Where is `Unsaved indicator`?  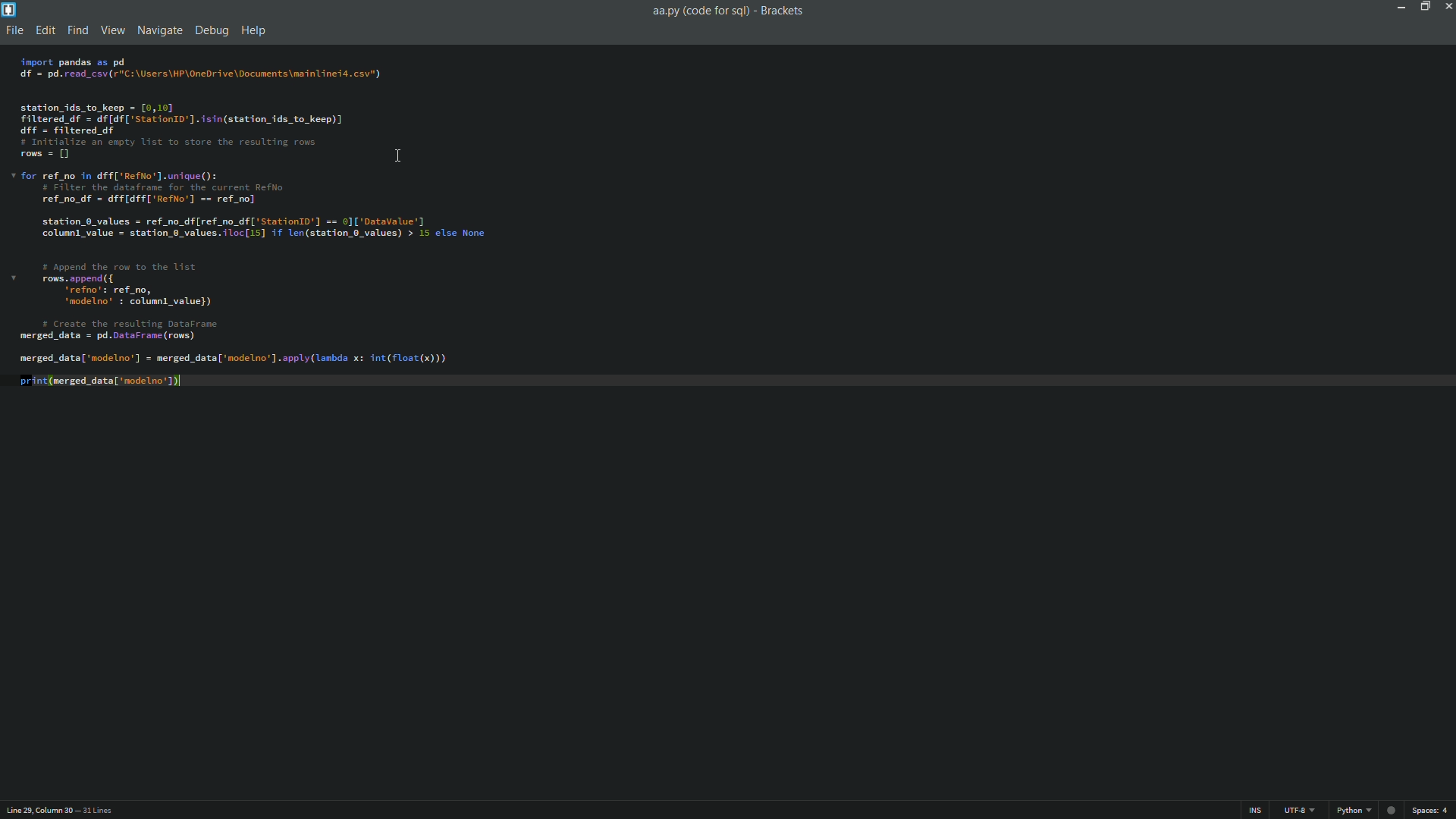
Unsaved indicator is located at coordinates (1389, 809).